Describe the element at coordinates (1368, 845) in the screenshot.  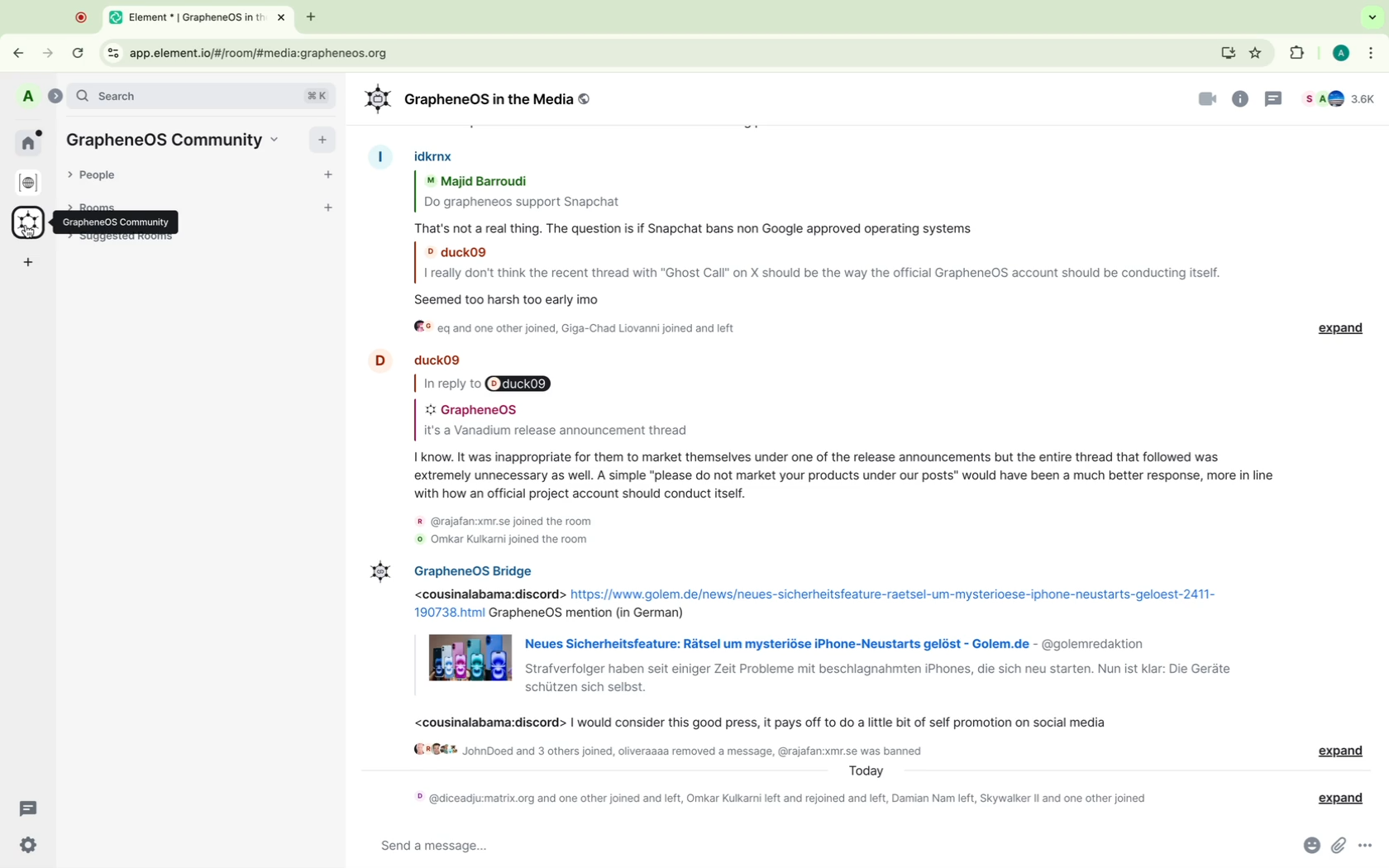
I see `more` at that location.